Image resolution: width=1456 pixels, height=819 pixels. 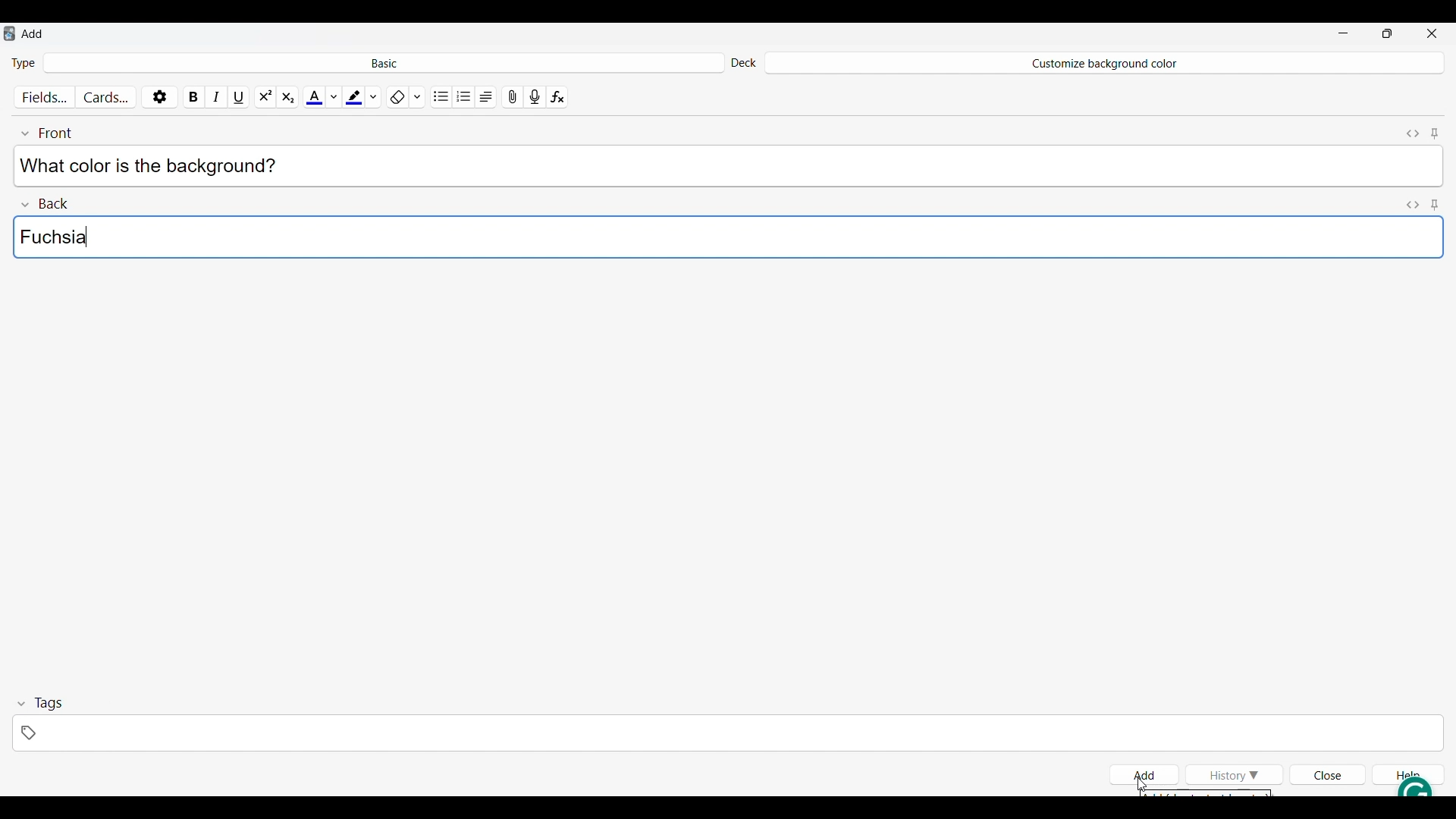 What do you see at coordinates (333, 95) in the screenshot?
I see `Text color options` at bounding box center [333, 95].